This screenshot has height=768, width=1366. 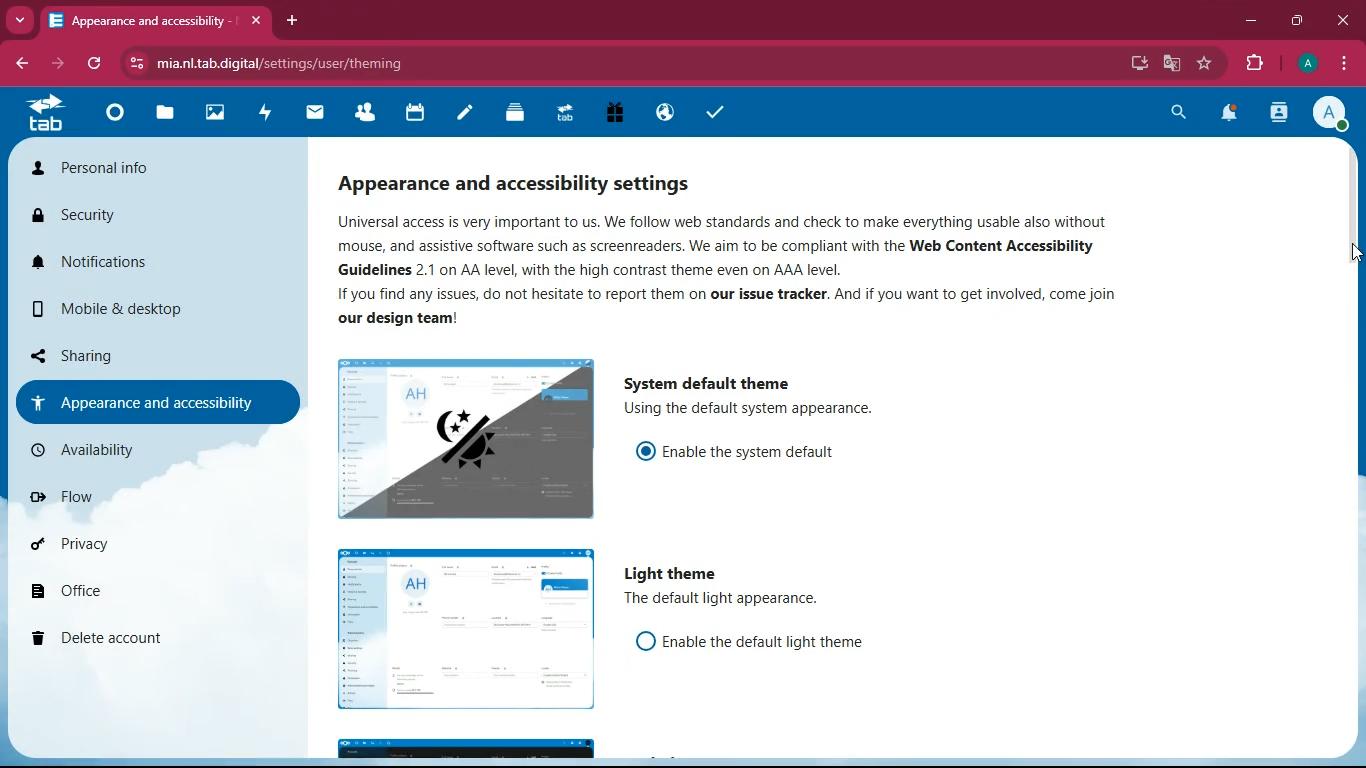 What do you see at coordinates (761, 639) in the screenshot?
I see `enable` at bounding box center [761, 639].